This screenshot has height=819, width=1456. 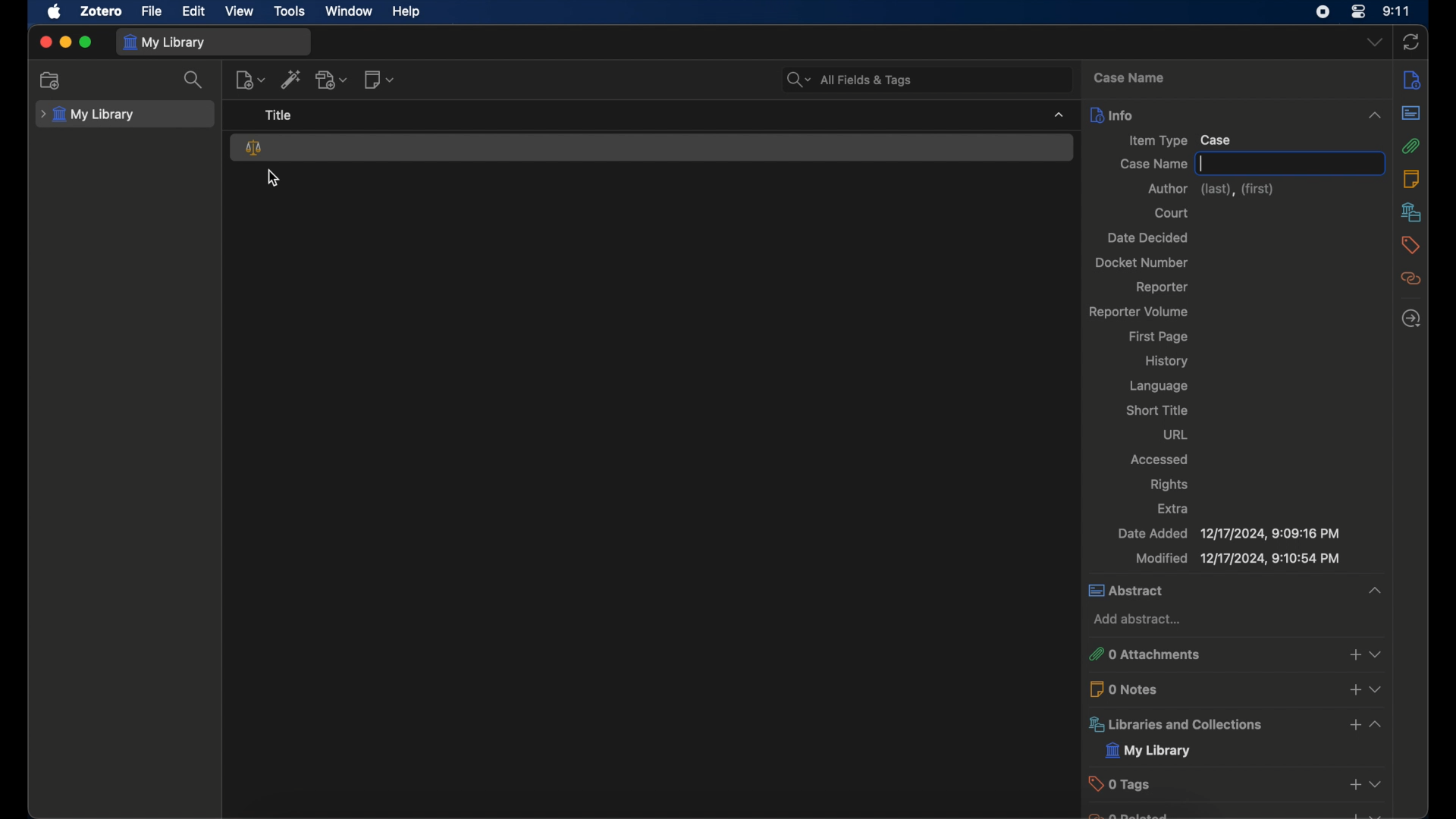 What do you see at coordinates (1412, 278) in the screenshot?
I see `related` at bounding box center [1412, 278].